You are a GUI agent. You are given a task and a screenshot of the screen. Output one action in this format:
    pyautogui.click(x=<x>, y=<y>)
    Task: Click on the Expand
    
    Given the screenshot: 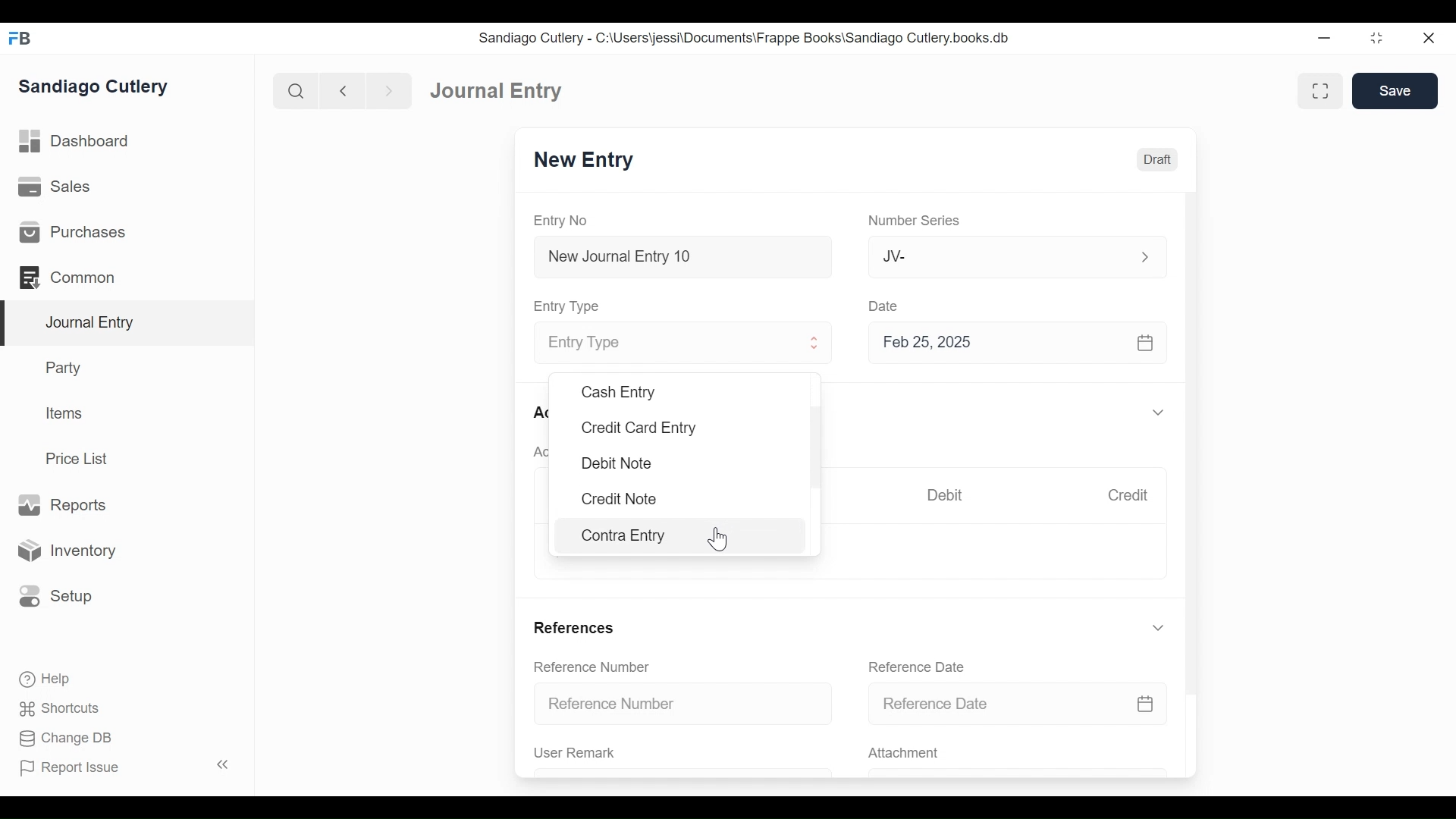 What is the action you would take?
    pyautogui.click(x=816, y=345)
    